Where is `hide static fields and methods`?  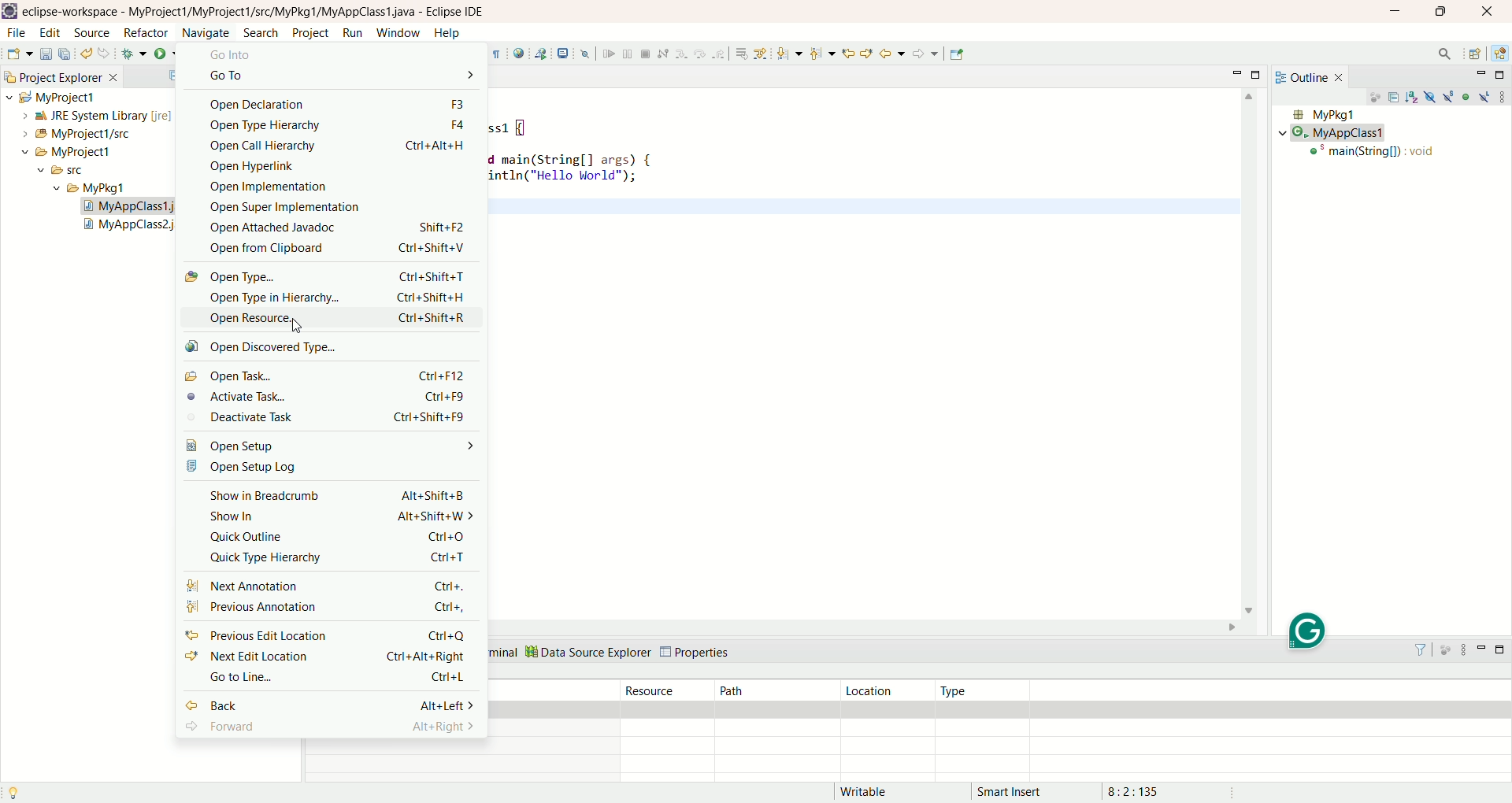
hide static fields and methods is located at coordinates (1449, 98).